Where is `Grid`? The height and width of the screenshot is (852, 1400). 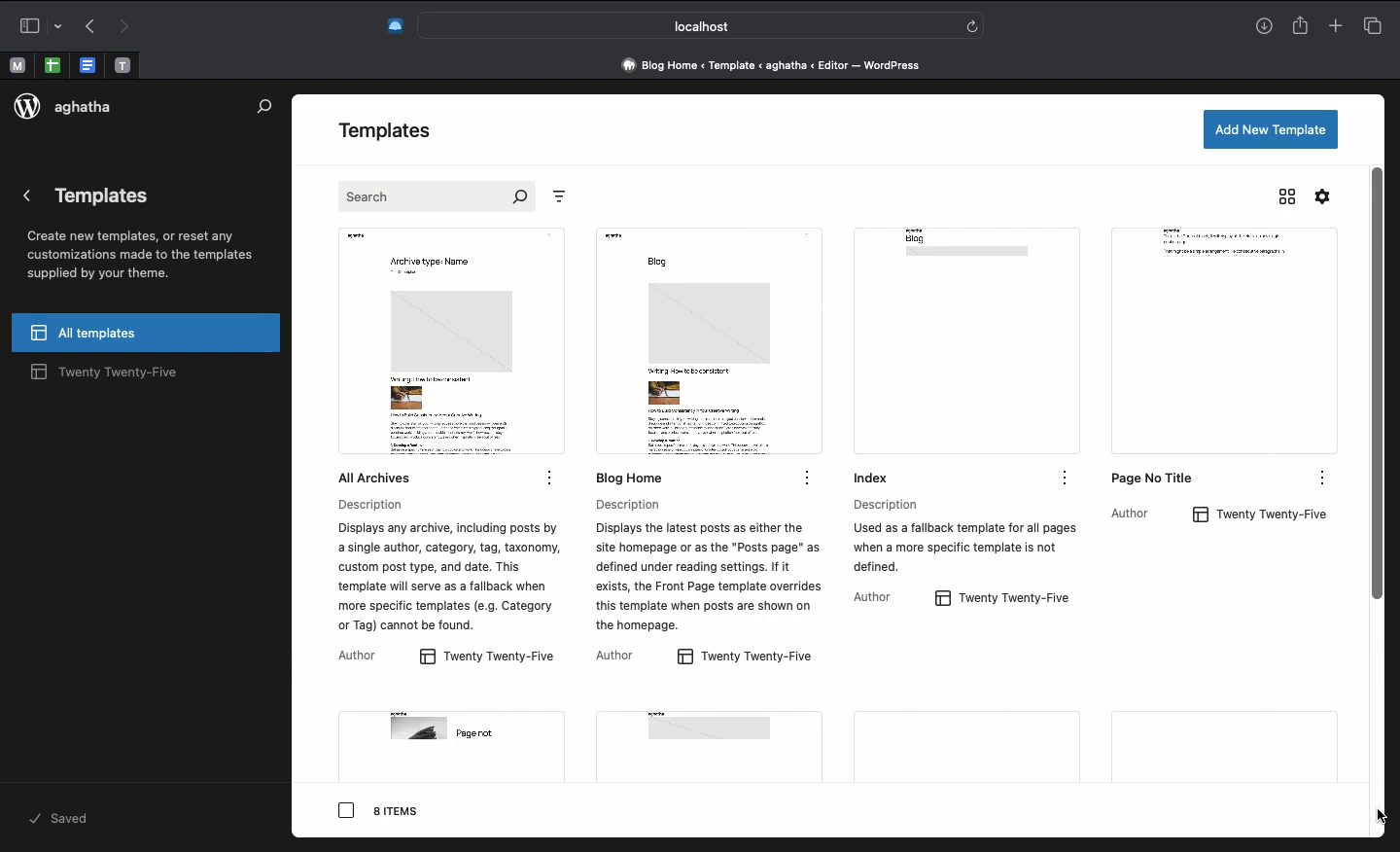 Grid is located at coordinates (1286, 197).